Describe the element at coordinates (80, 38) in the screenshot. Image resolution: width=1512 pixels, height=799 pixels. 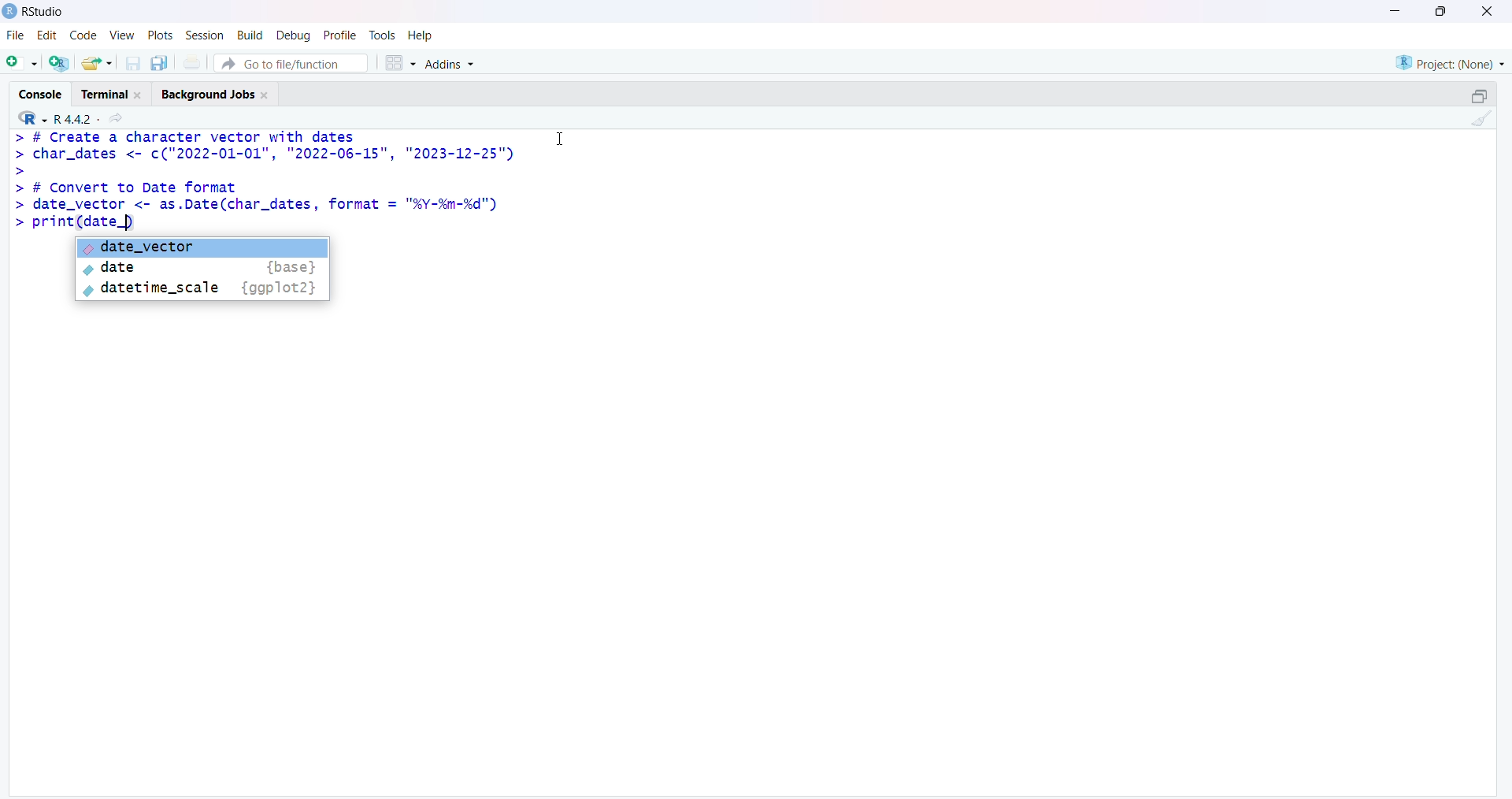
I see `Code` at that location.